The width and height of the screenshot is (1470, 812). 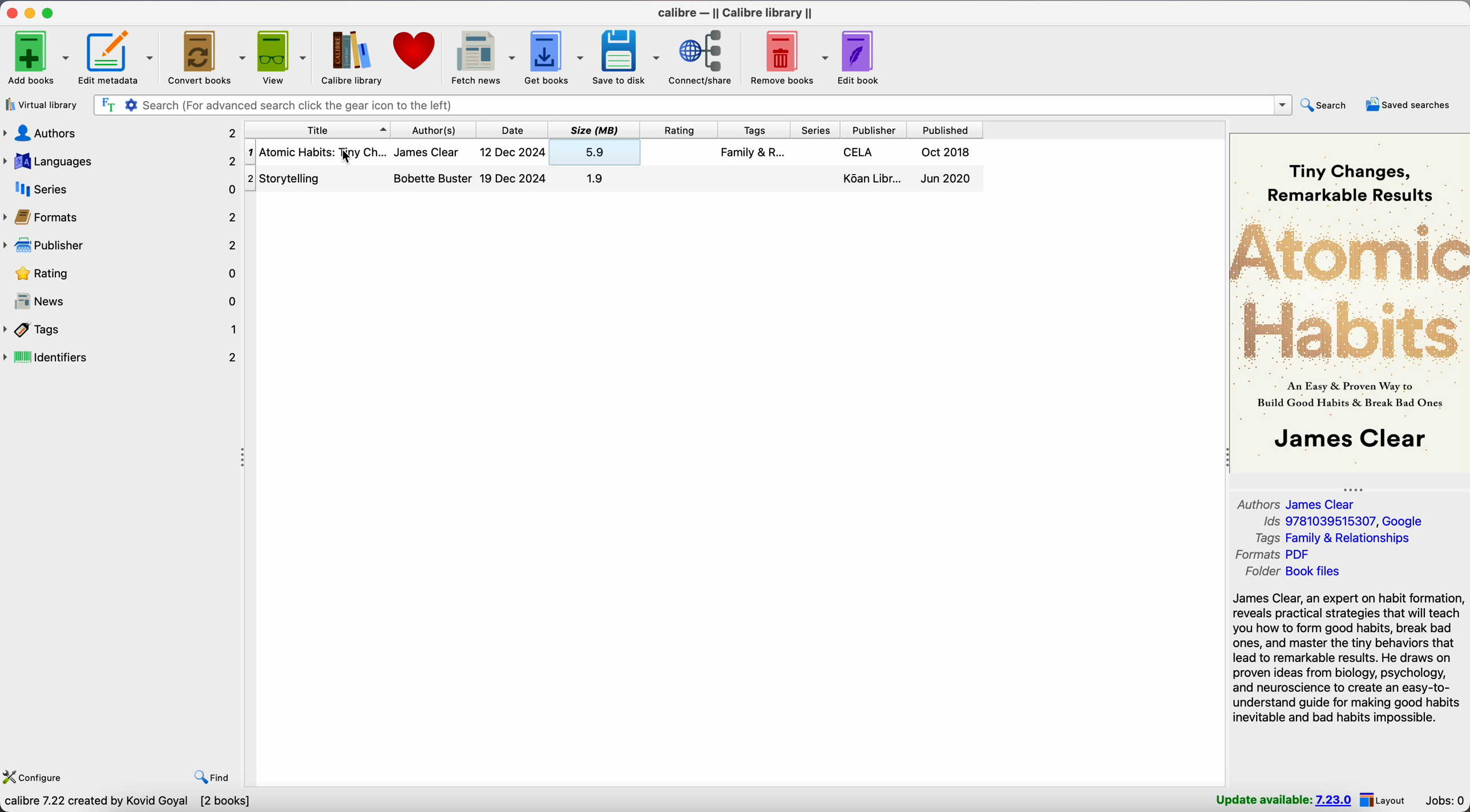 I want to click on series, so click(x=122, y=188).